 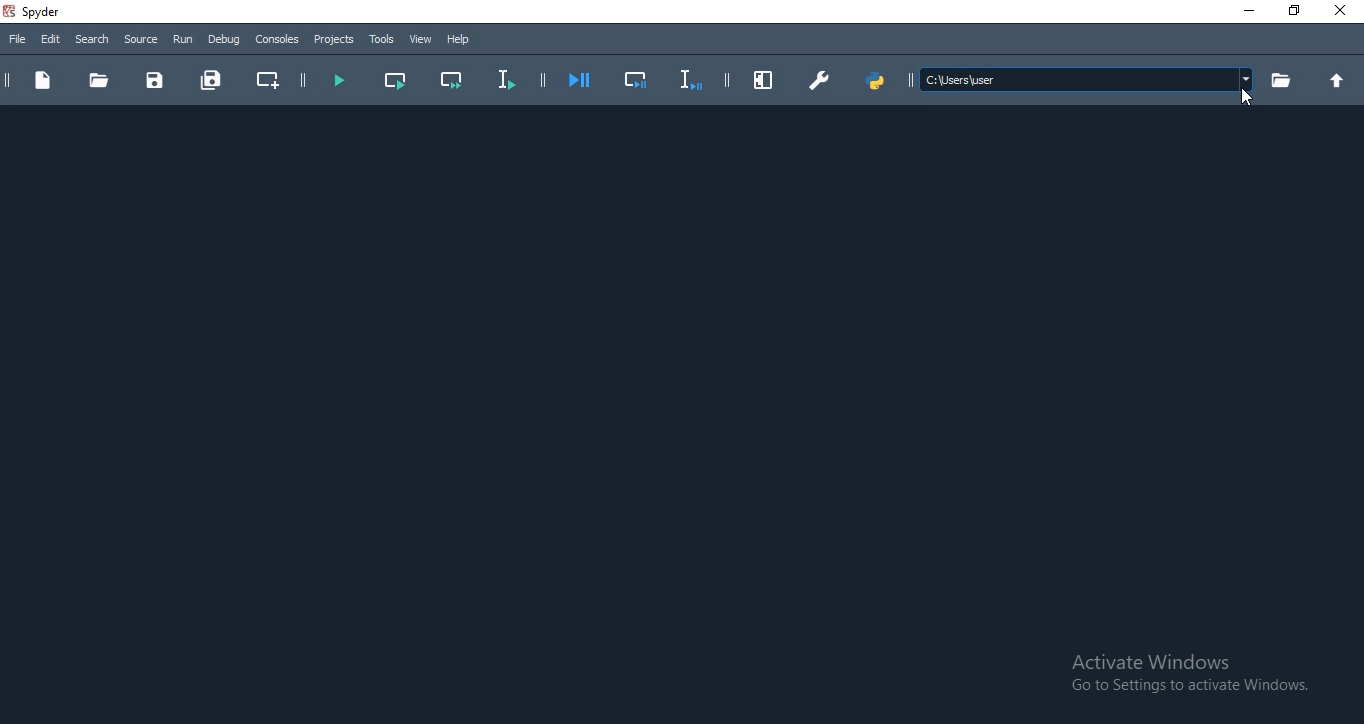 What do you see at coordinates (1084, 80) in the screenshot?
I see `file path` at bounding box center [1084, 80].